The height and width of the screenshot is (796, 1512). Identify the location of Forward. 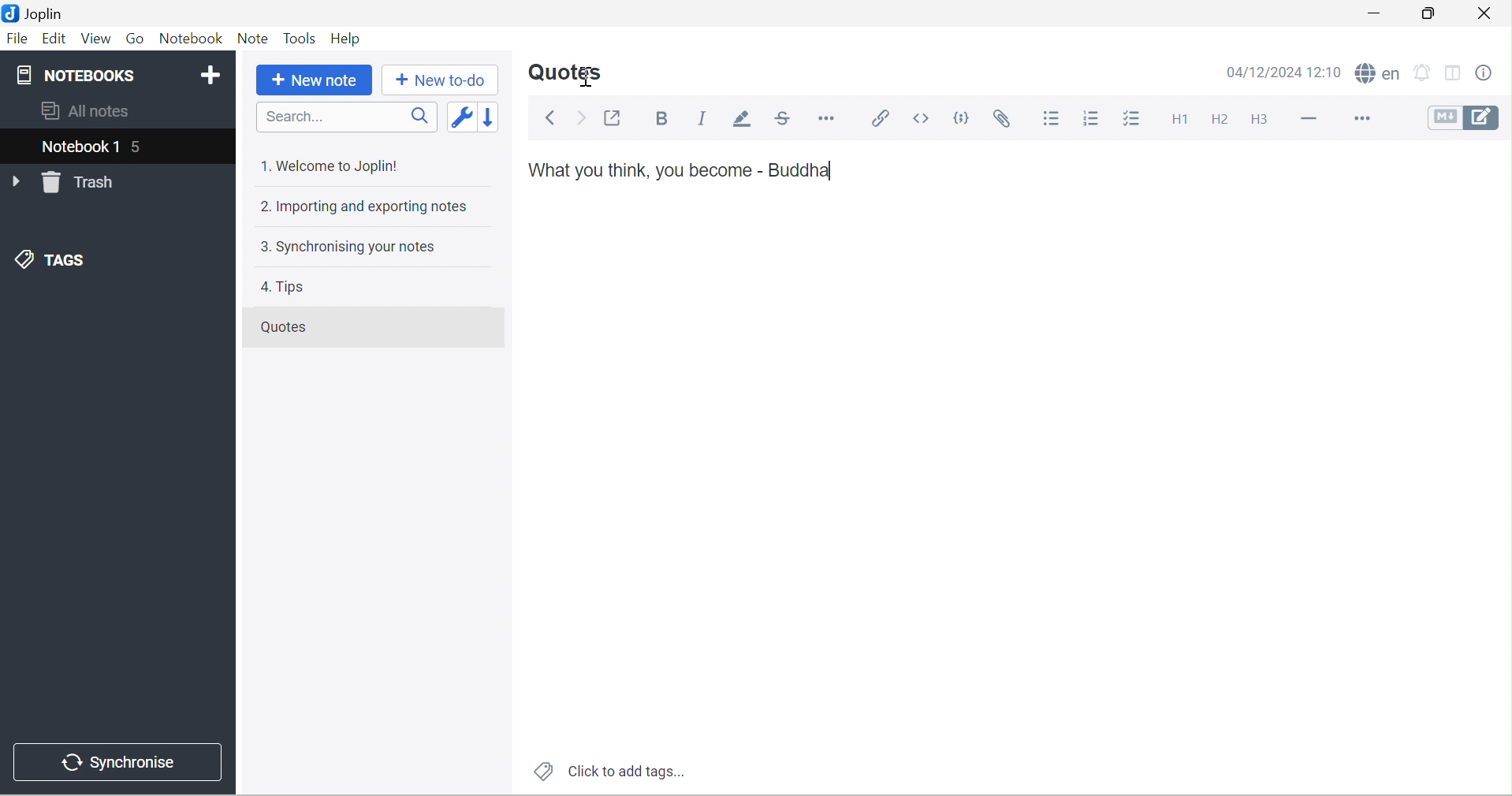
(581, 119).